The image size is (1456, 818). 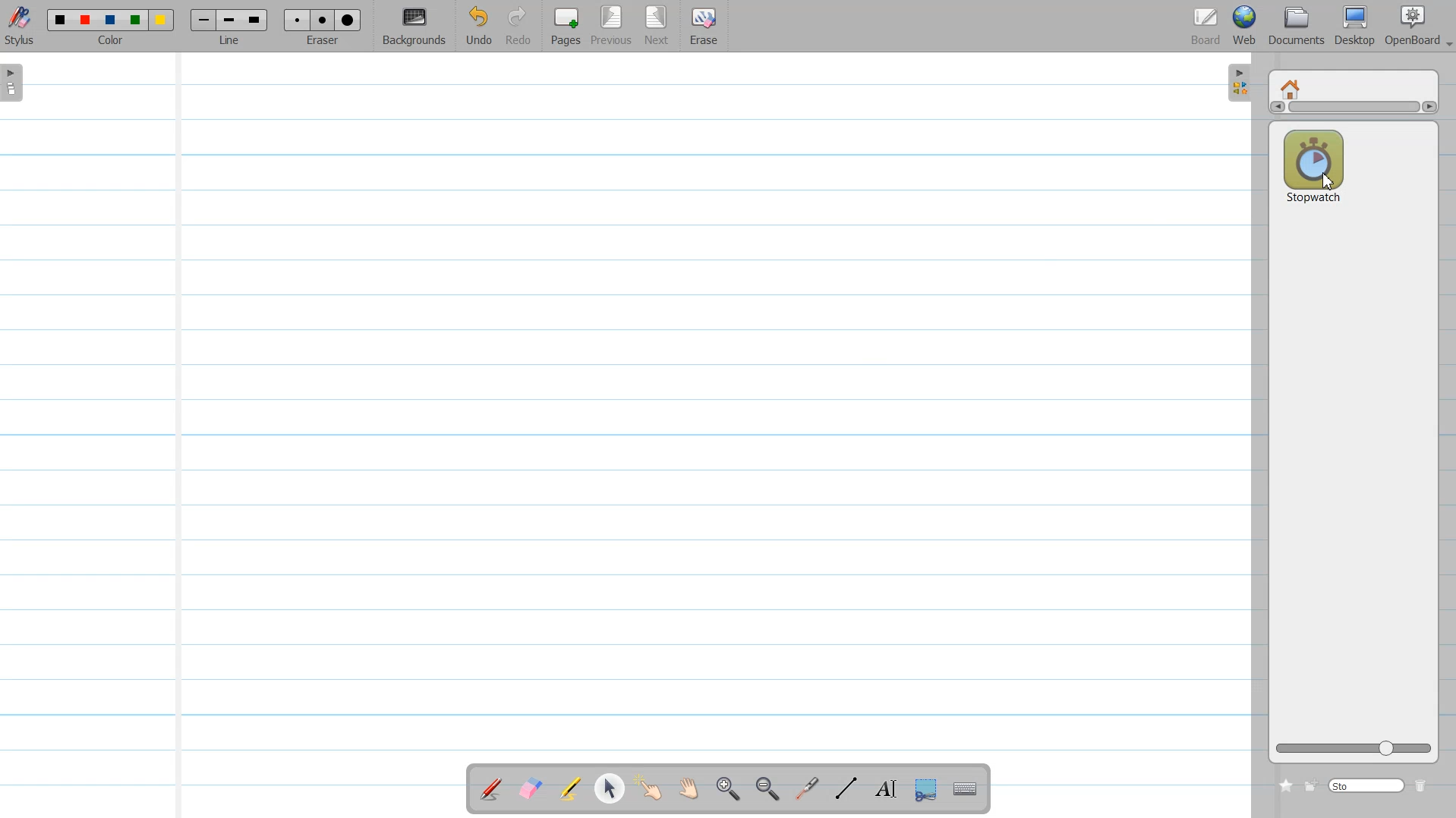 I want to click on Sidebar, so click(x=1237, y=83).